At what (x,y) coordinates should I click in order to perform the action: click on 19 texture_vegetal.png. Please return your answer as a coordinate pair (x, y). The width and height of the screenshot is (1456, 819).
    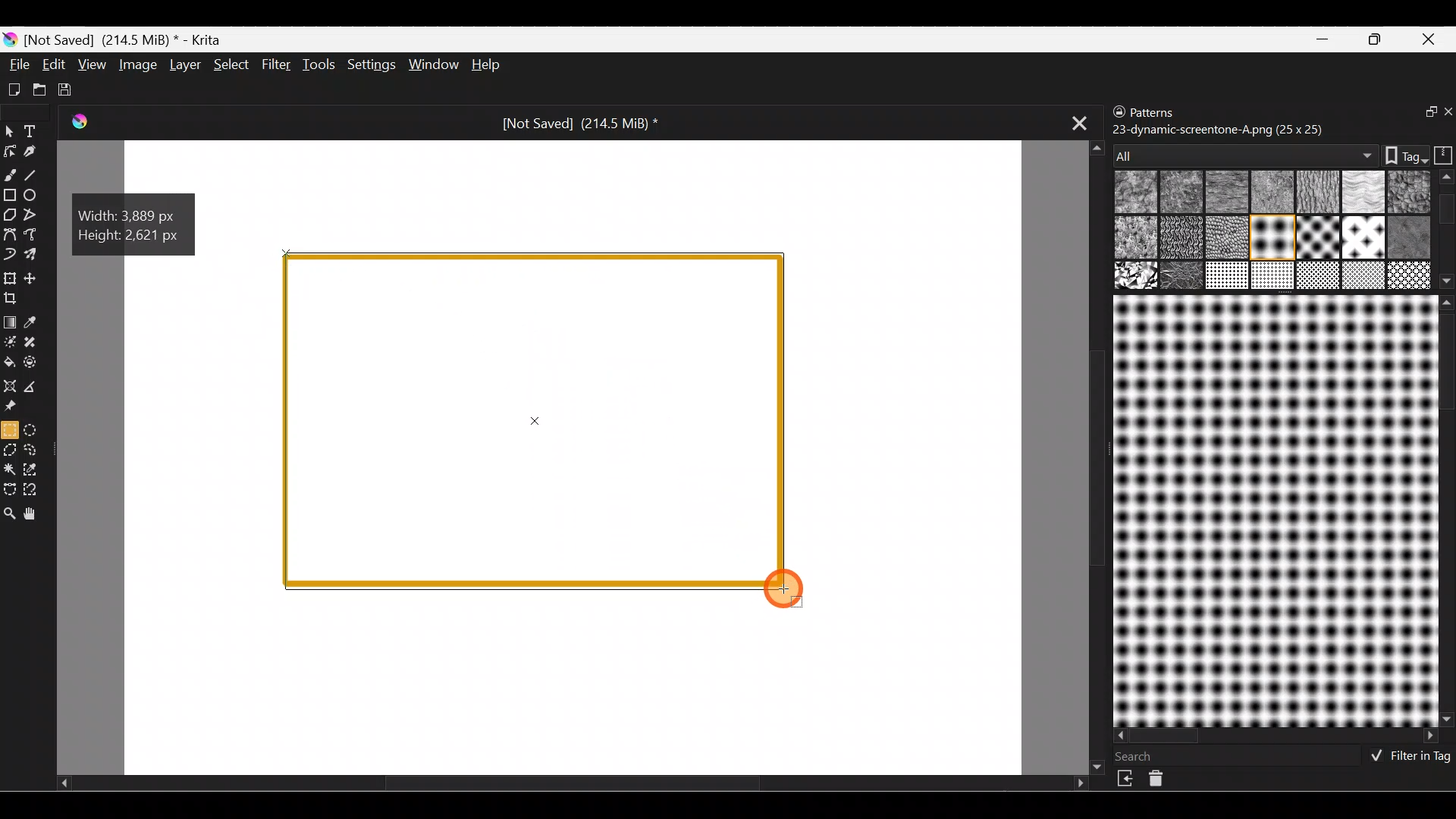
    Looking at the image, I should click on (1410, 275).